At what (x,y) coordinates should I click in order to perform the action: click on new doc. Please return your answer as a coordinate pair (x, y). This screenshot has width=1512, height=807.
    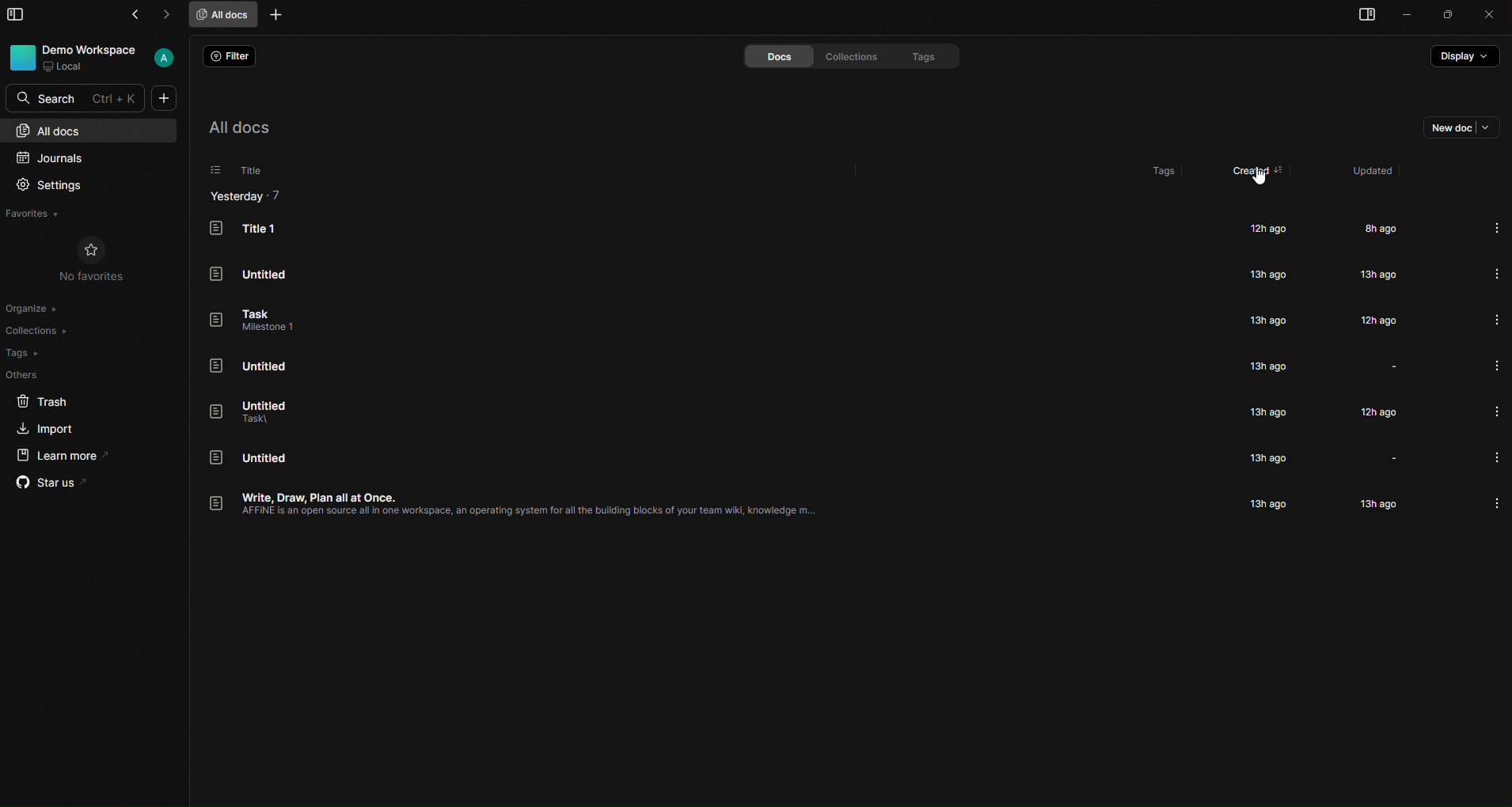
    Looking at the image, I should click on (1463, 127).